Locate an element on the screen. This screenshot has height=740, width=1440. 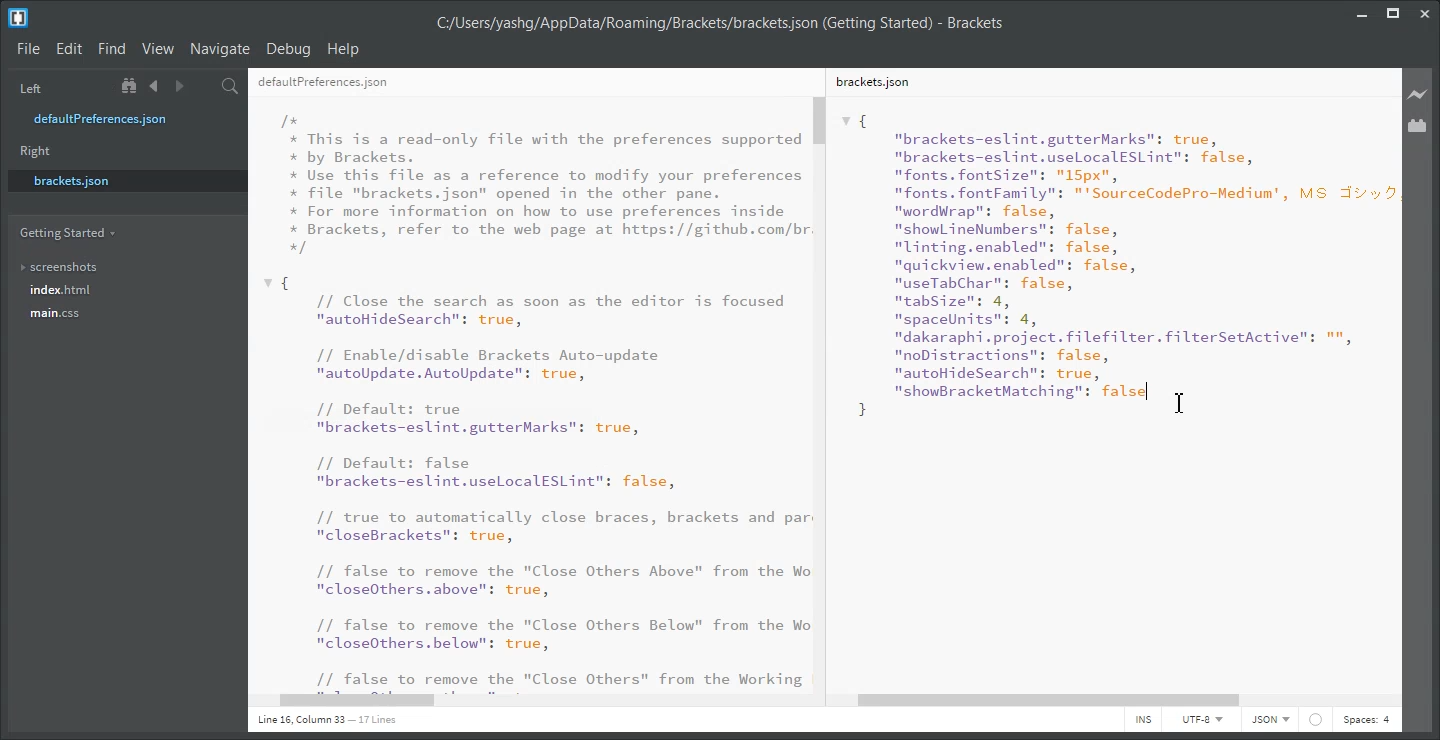
{
// Close the search as soon as the editor is focused
"autoHideSearch": true,
// Enable/disable Brackets Auto-update
"autoUpdate. AutoUpdate": true,
// Default: true
"brackets-eslint.gutterMarks": true,
// Default: false
"brackets-eslint.uselocalESLint": false,
// true to automatically close braces, brackets and par
"closeBrackets": true,
// false to remove the "Close Others Above" from the Wo
"closeOthers. above": true,
// false to remove the "Close Others Below" from the Wo
"closeOthers.below": true,
// false to remove the "Close Others" from the Working is located at coordinates (536, 482).